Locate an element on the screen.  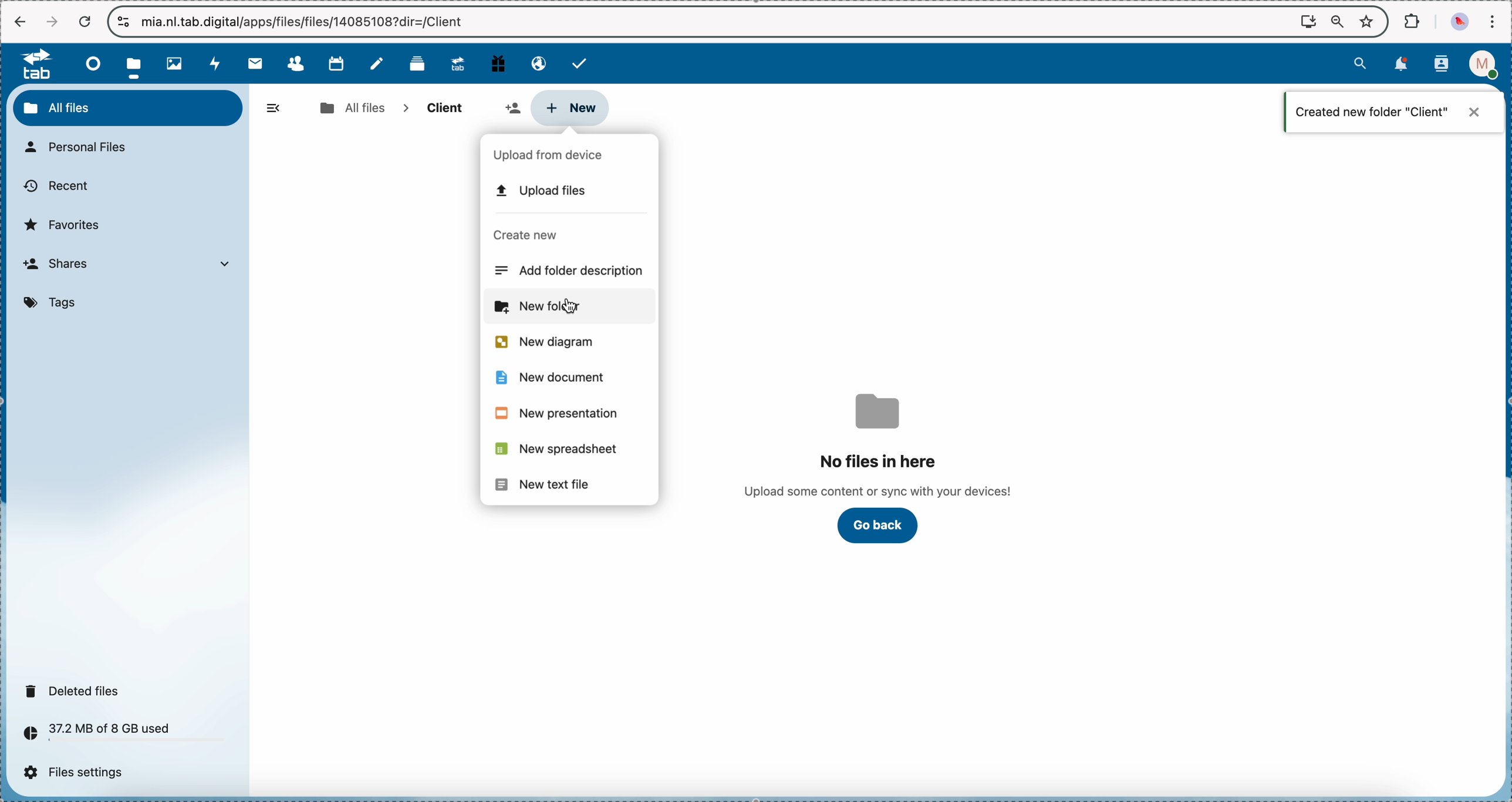
url is located at coordinates (308, 22).